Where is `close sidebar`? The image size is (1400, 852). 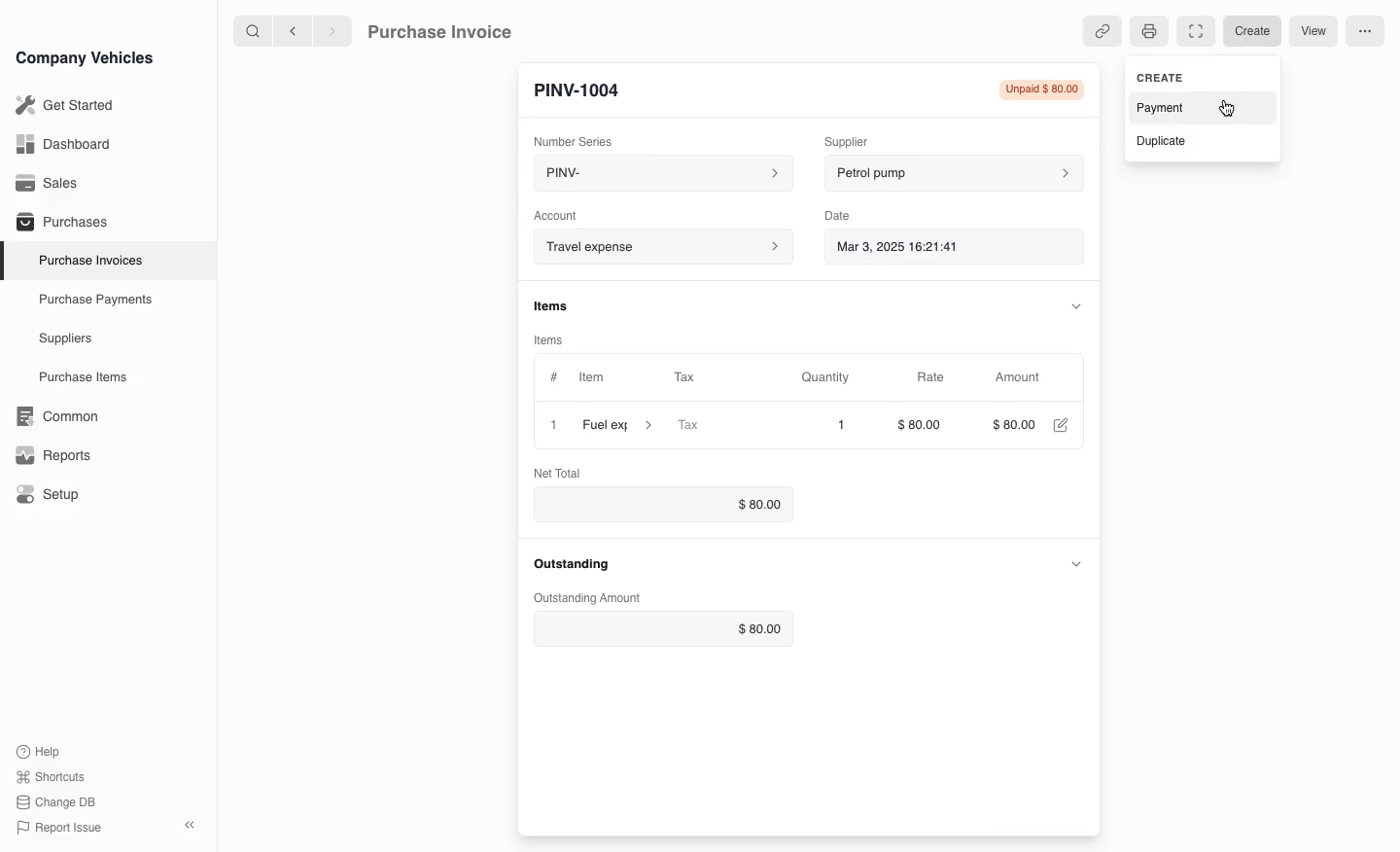 close sidebar is located at coordinates (192, 823).